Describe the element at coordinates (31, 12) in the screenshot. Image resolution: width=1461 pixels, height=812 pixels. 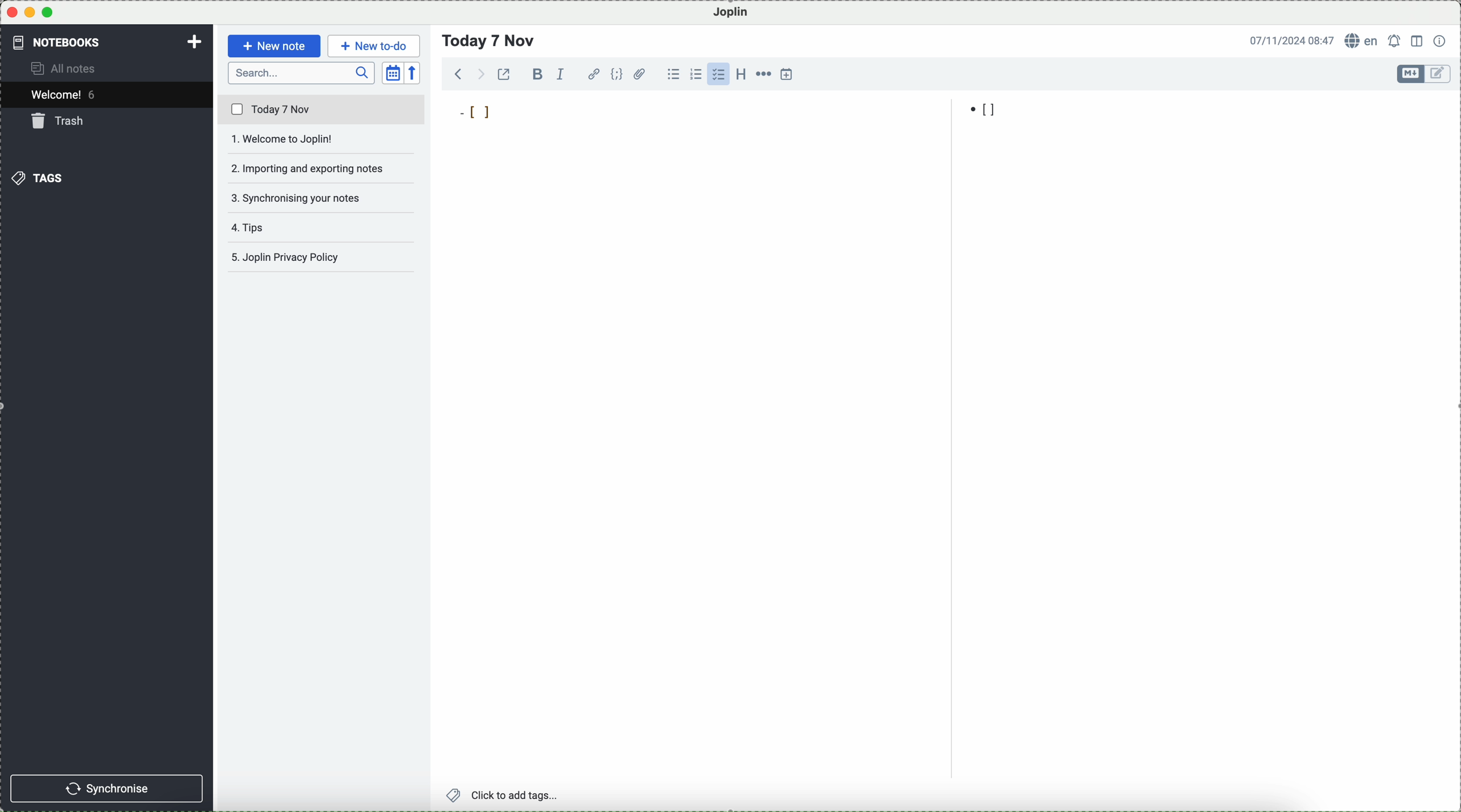
I see `minimize` at that location.